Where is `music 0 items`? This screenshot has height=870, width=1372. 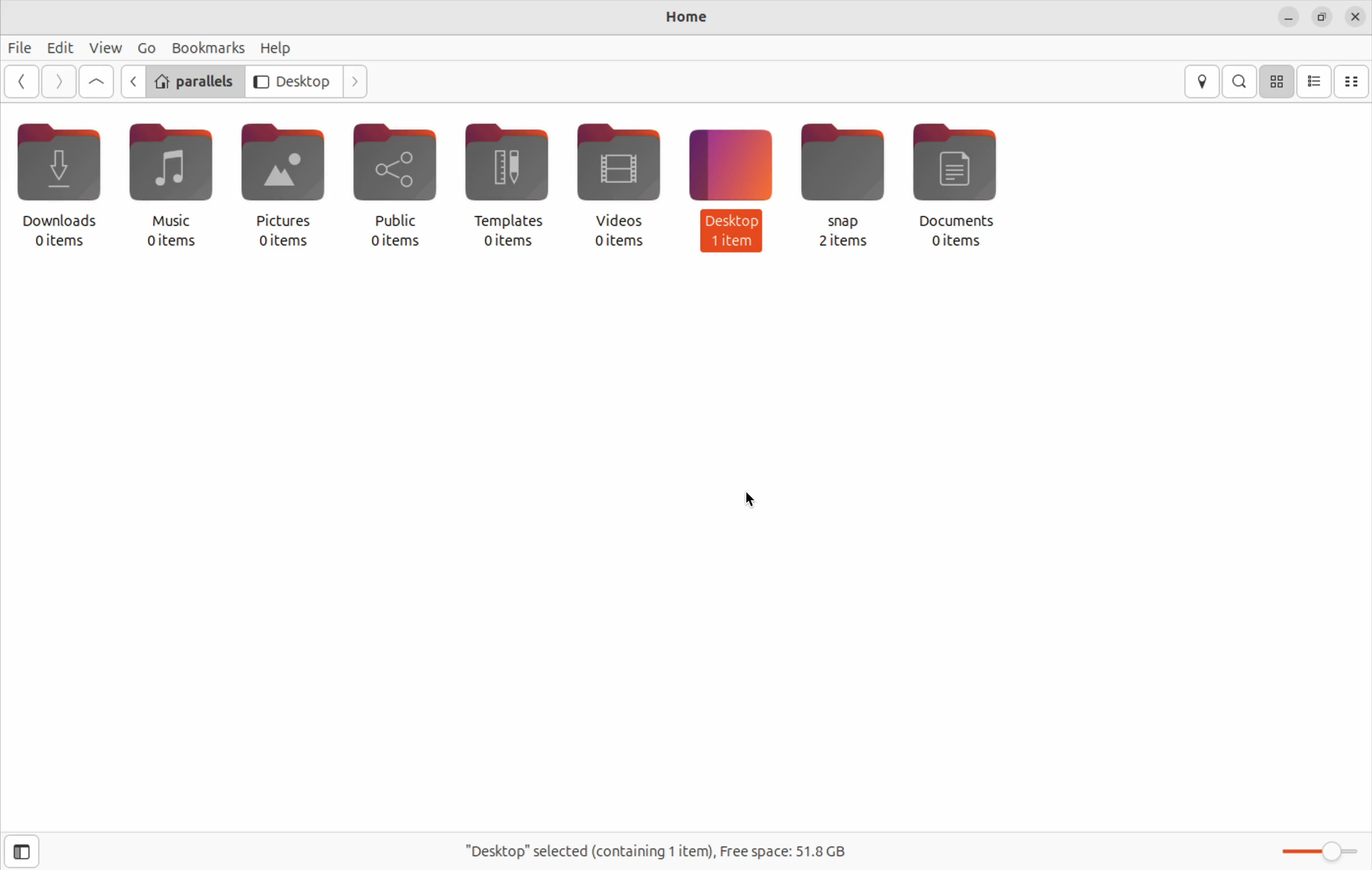
music 0 items is located at coordinates (173, 189).